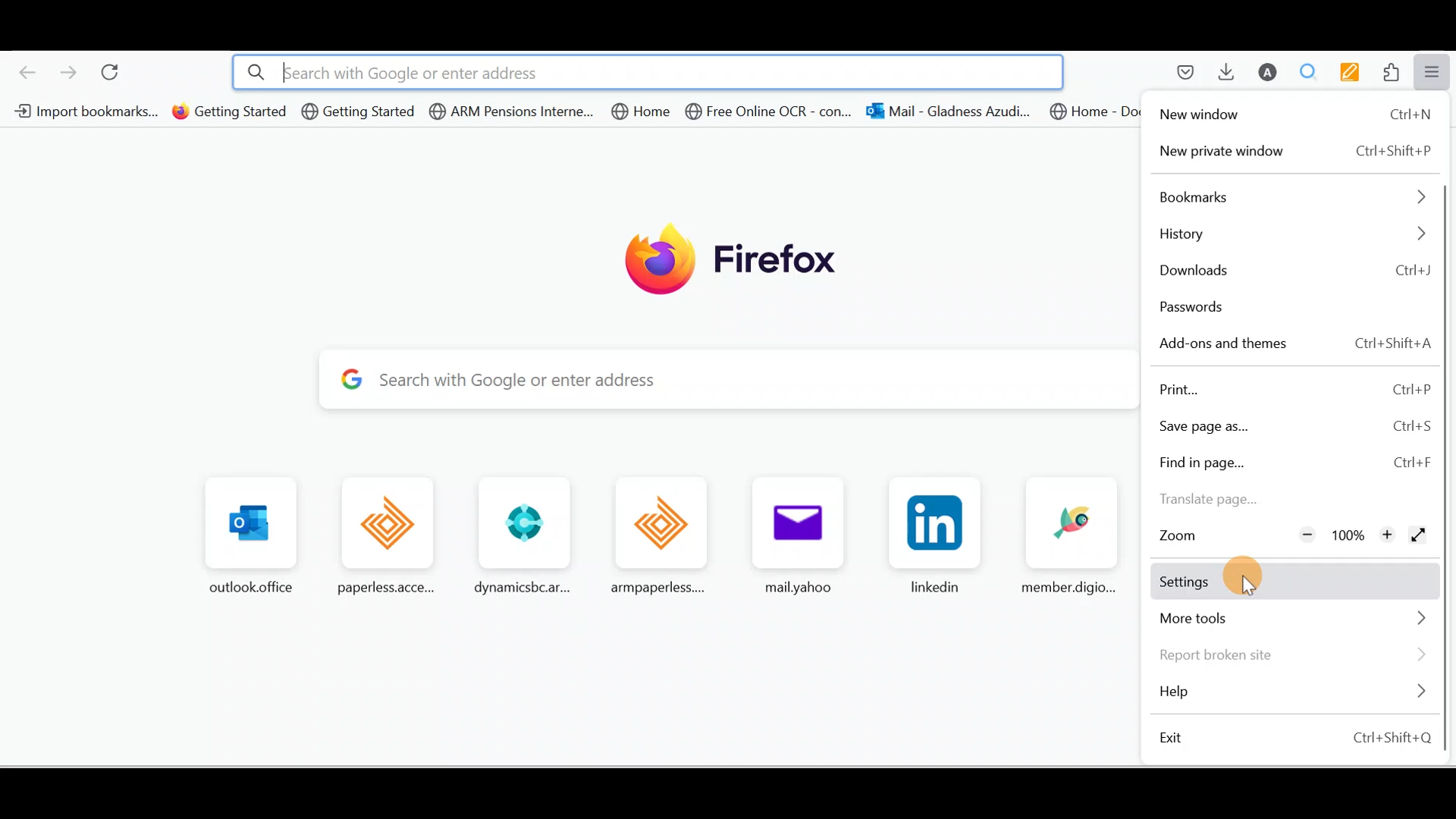 The width and height of the screenshot is (1456, 819). What do you see at coordinates (1290, 388) in the screenshot?
I see `Print       Ctrl+P` at bounding box center [1290, 388].